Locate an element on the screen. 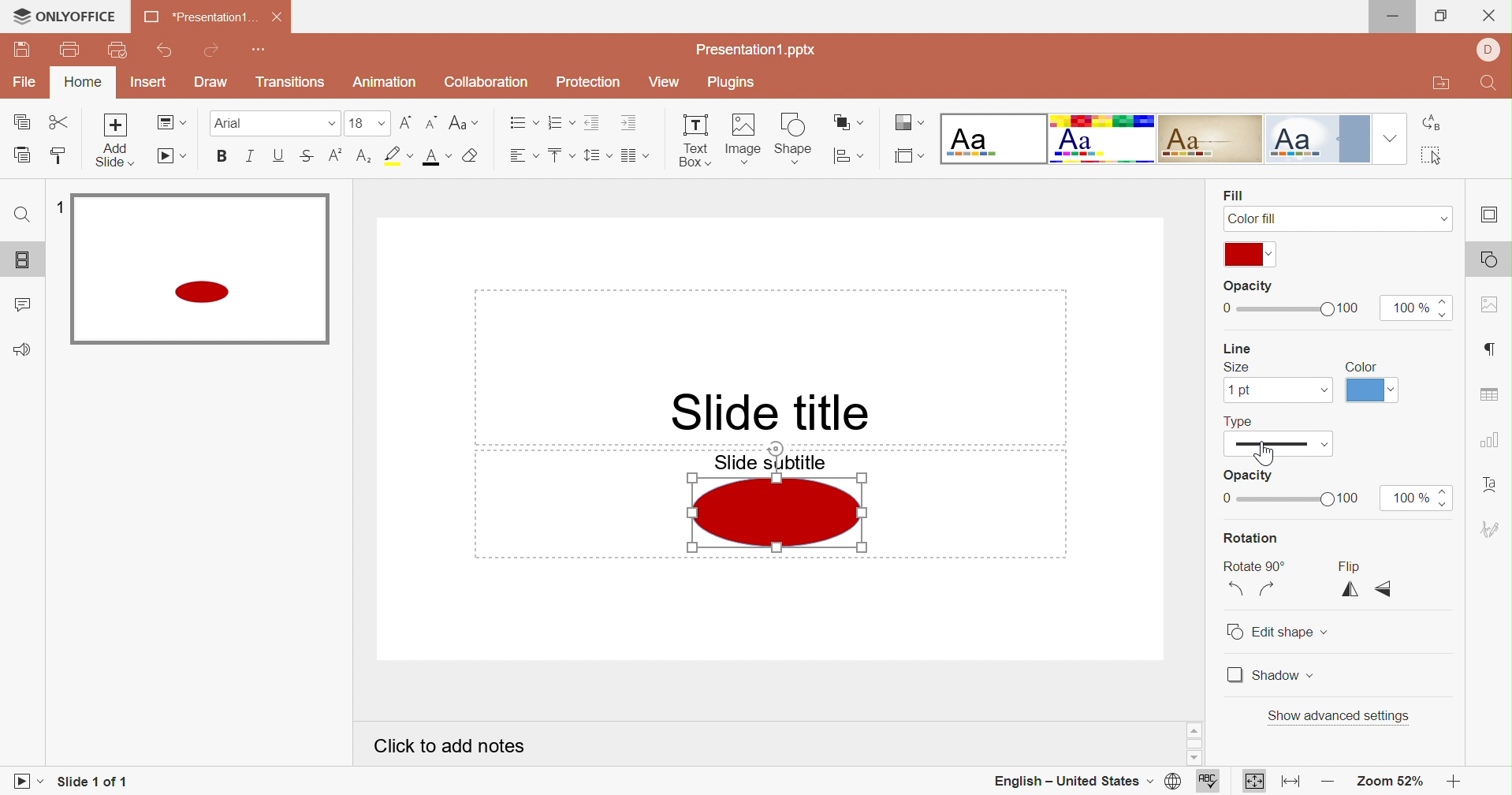  100 is located at coordinates (1350, 308).